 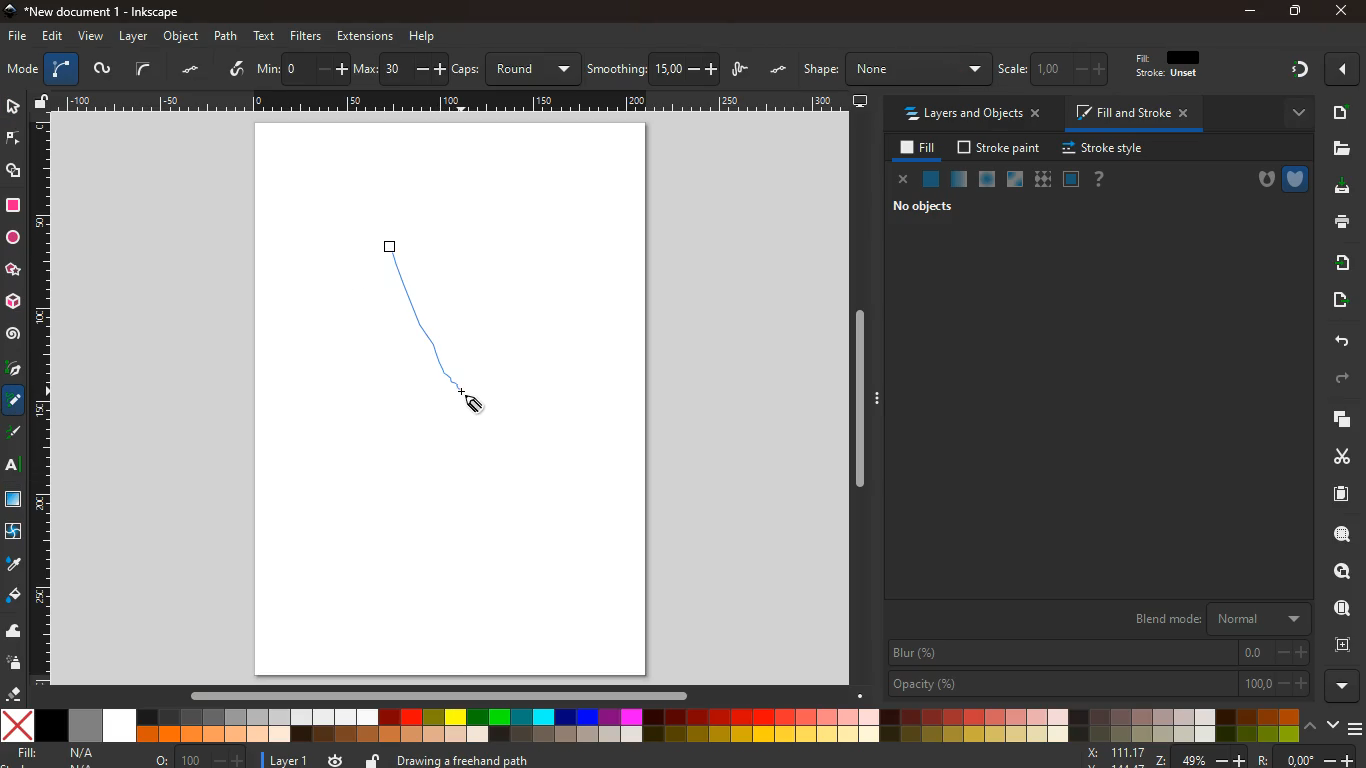 I want to click on text, so click(x=14, y=468).